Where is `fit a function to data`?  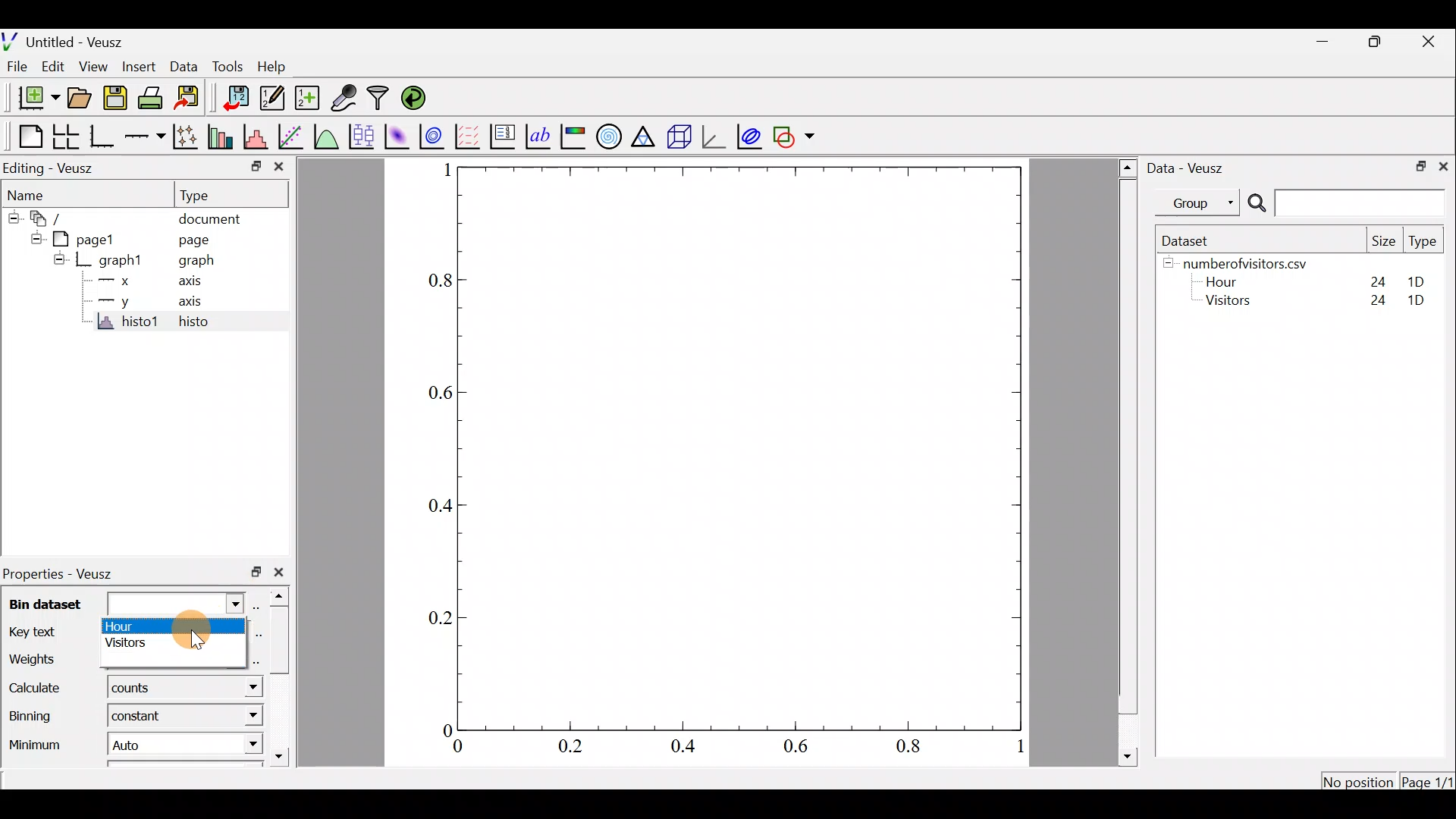
fit a function to data is located at coordinates (294, 137).